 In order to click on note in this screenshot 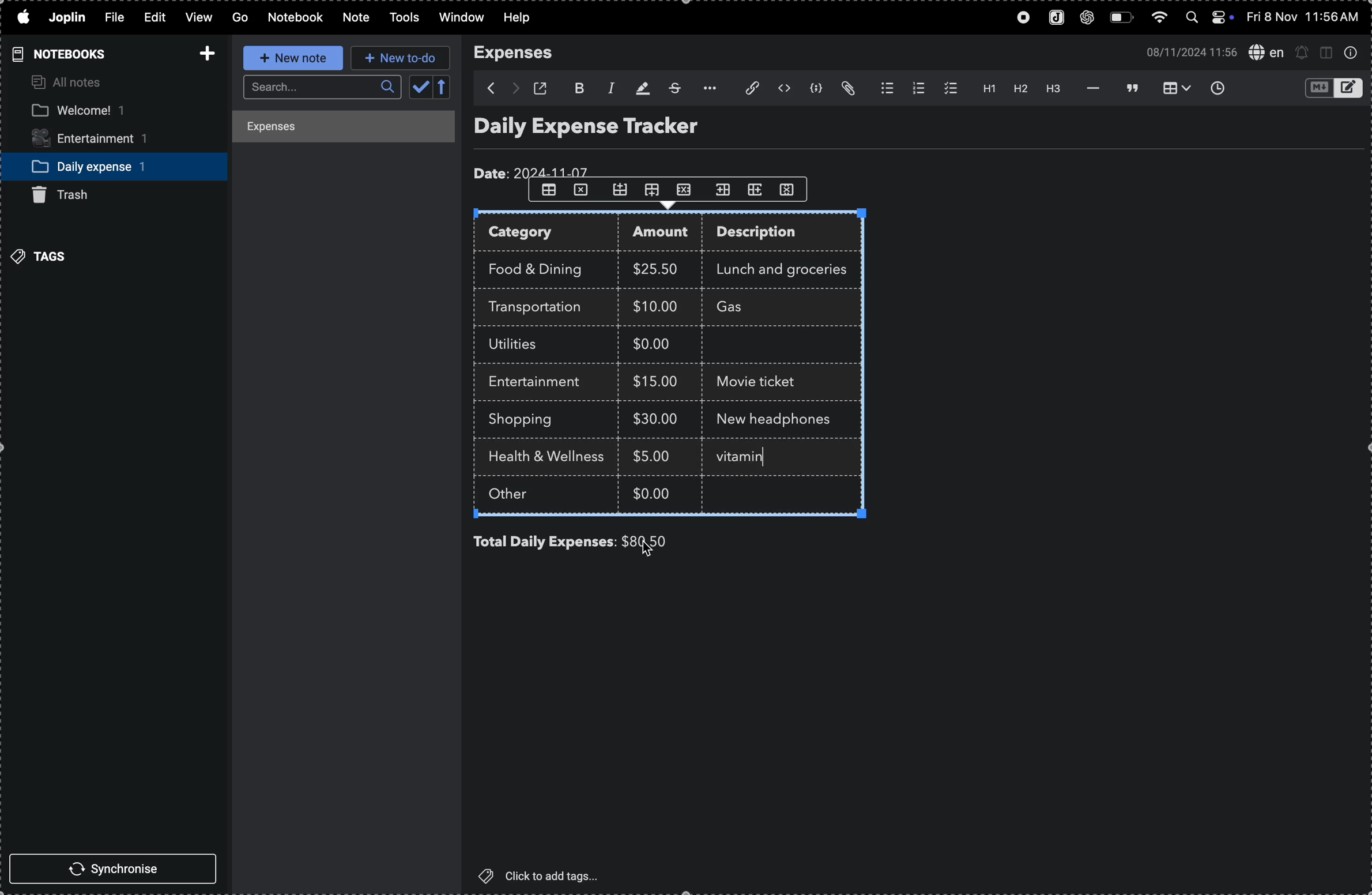, I will do `click(353, 18)`.